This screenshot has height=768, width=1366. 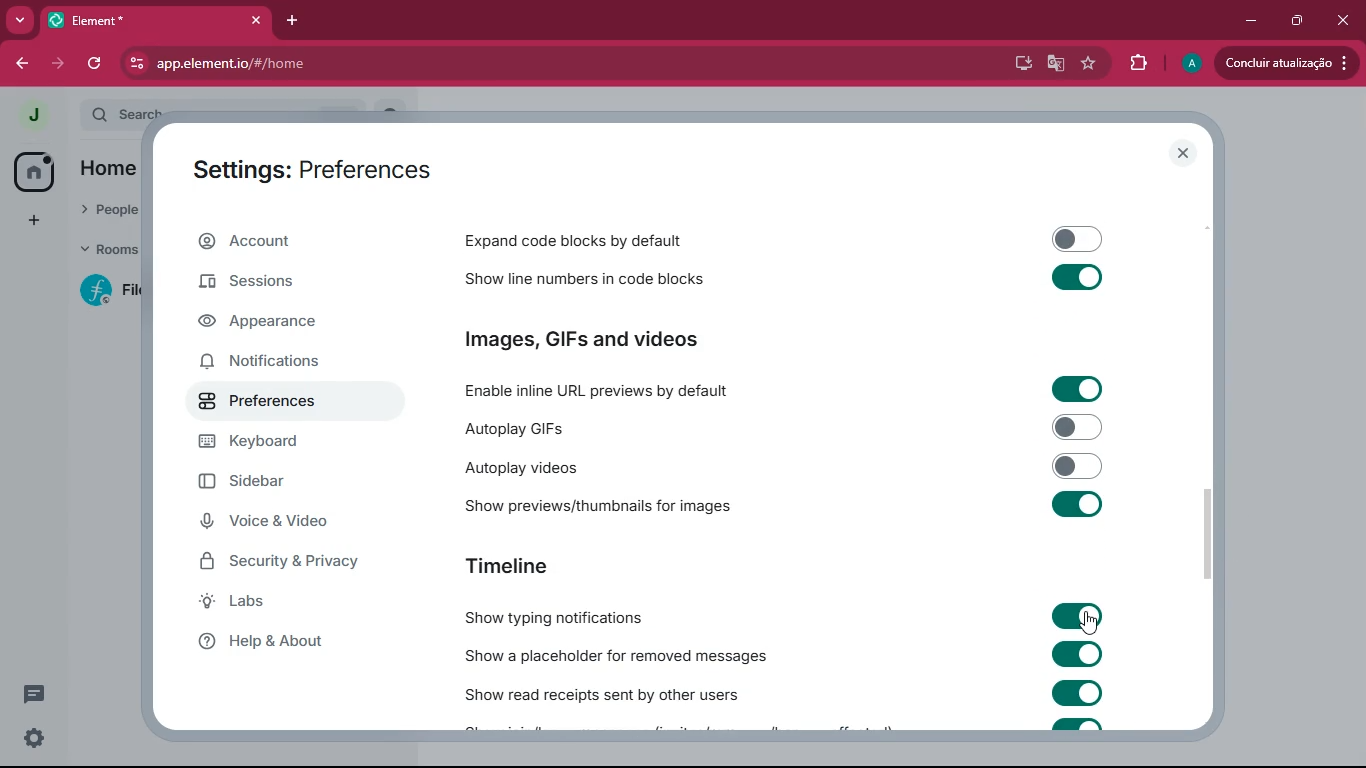 What do you see at coordinates (1209, 537) in the screenshot?
I see `vertical scrollbar` at bounding box center [1209, 537].